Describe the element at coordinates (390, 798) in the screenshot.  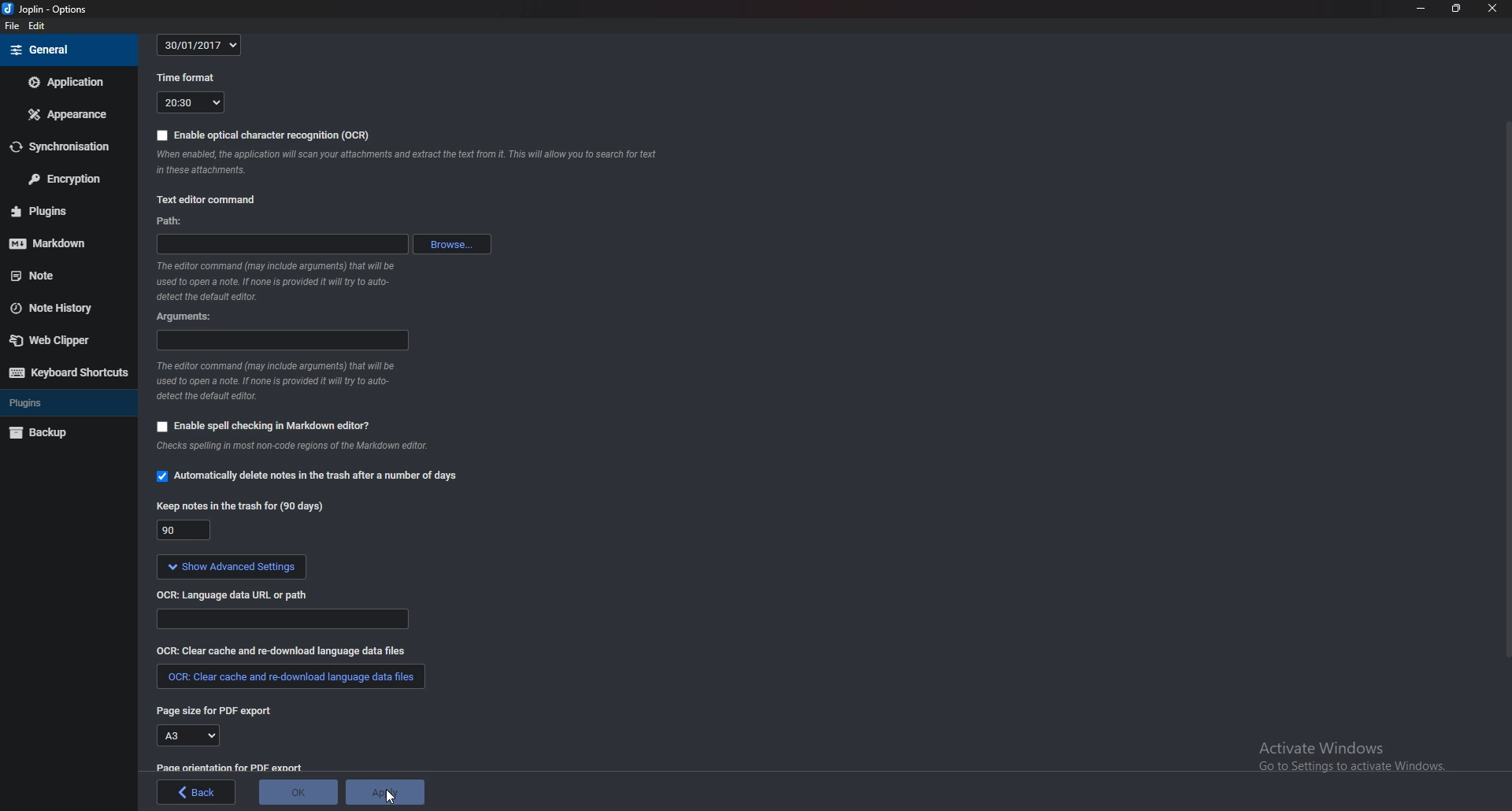
I see `cursor` at that location.